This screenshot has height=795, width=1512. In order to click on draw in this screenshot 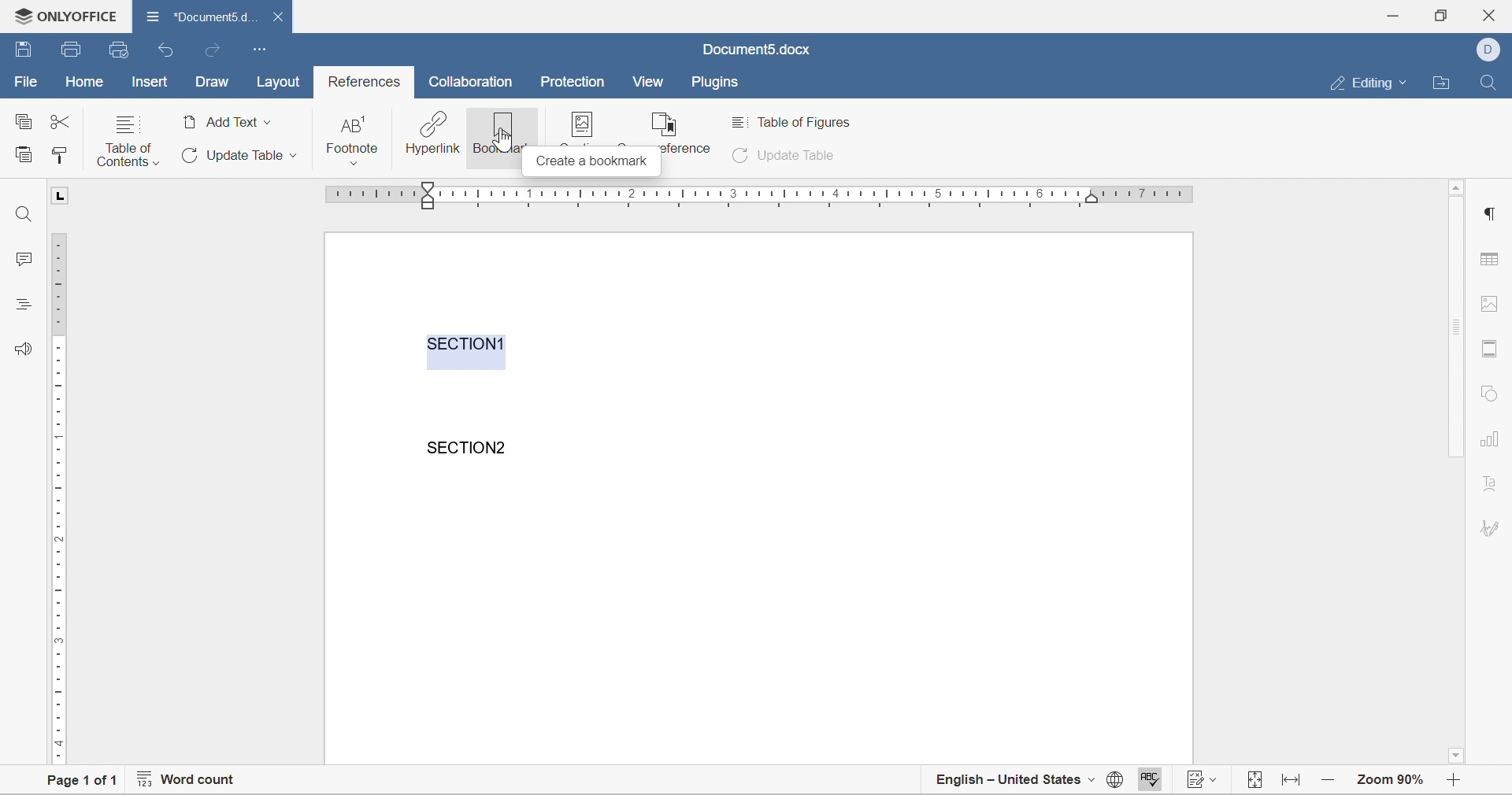, I will do `click(212, 83)`.